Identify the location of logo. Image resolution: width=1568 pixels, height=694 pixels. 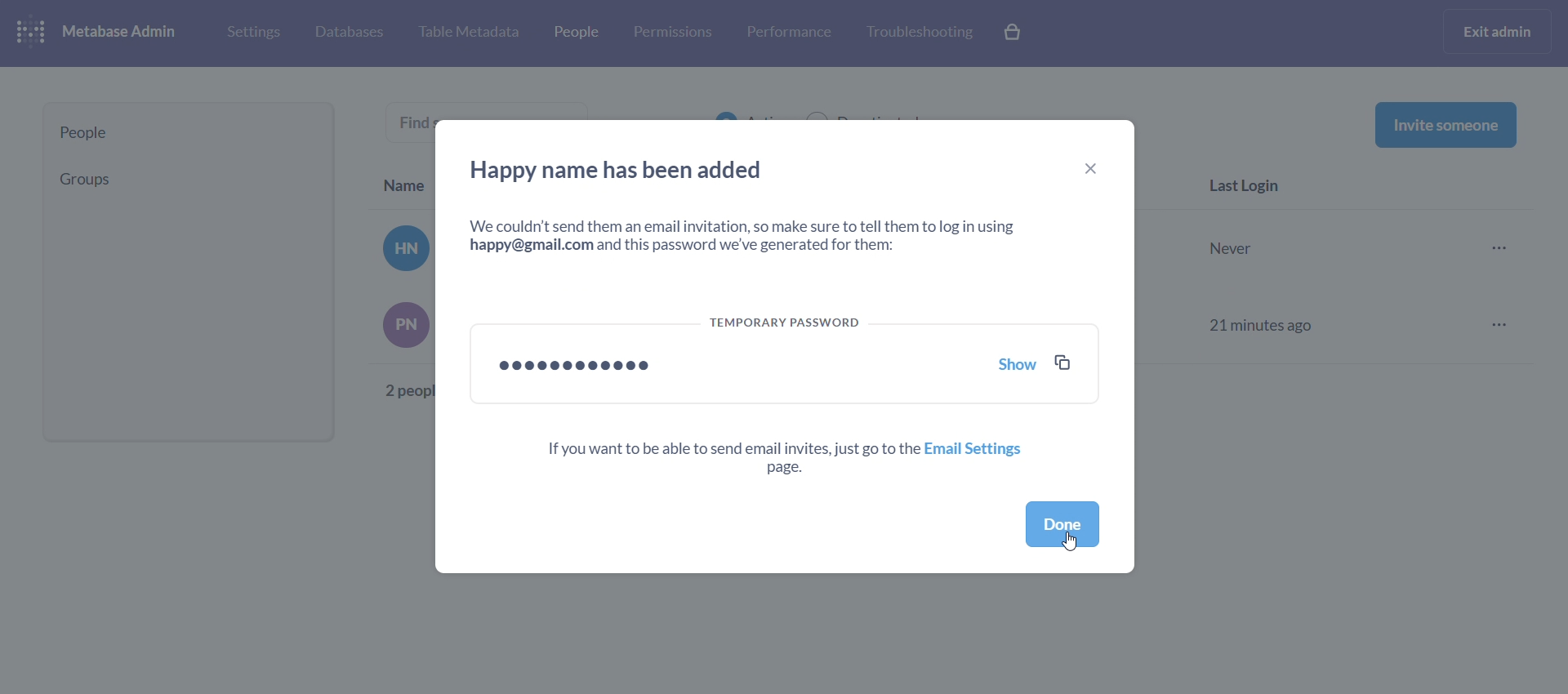
(34, 33).